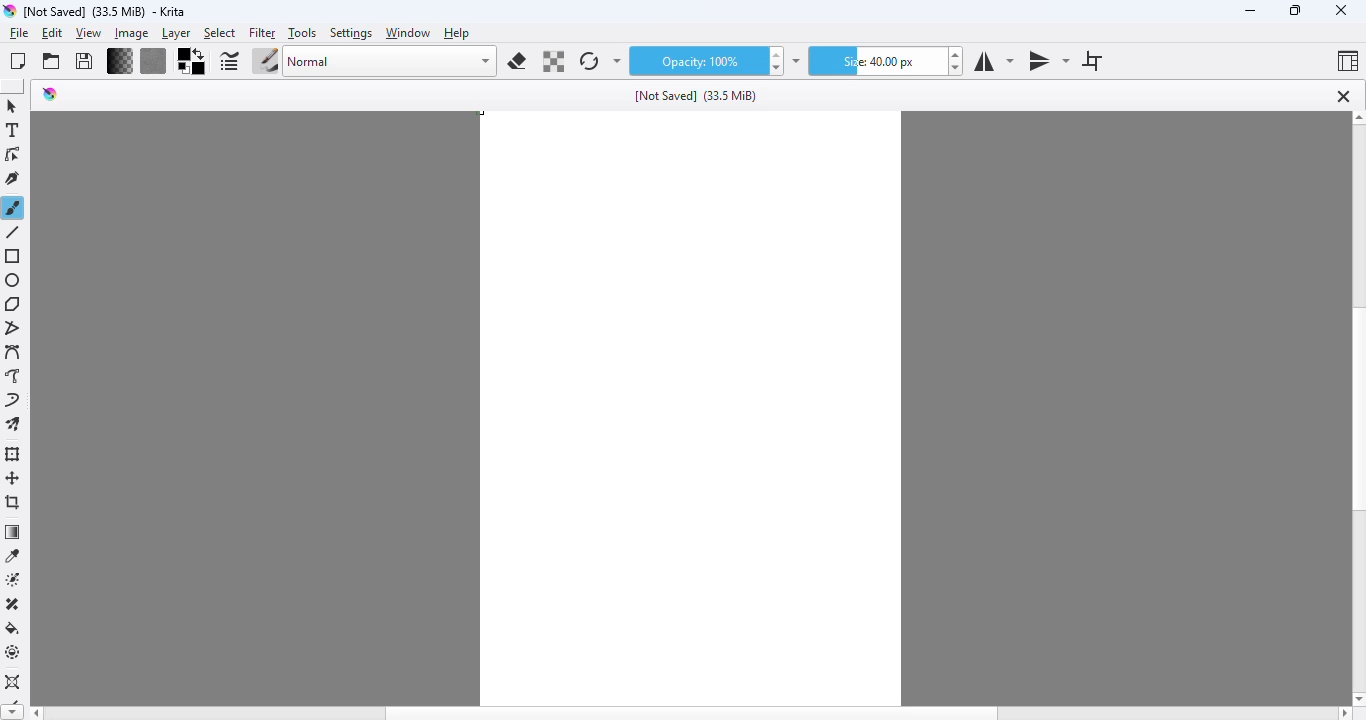 The image size is (1366, 720). Describe the element at coordinates (13, 400) in the screenshot. I see `dynamic brush tool` at that location.